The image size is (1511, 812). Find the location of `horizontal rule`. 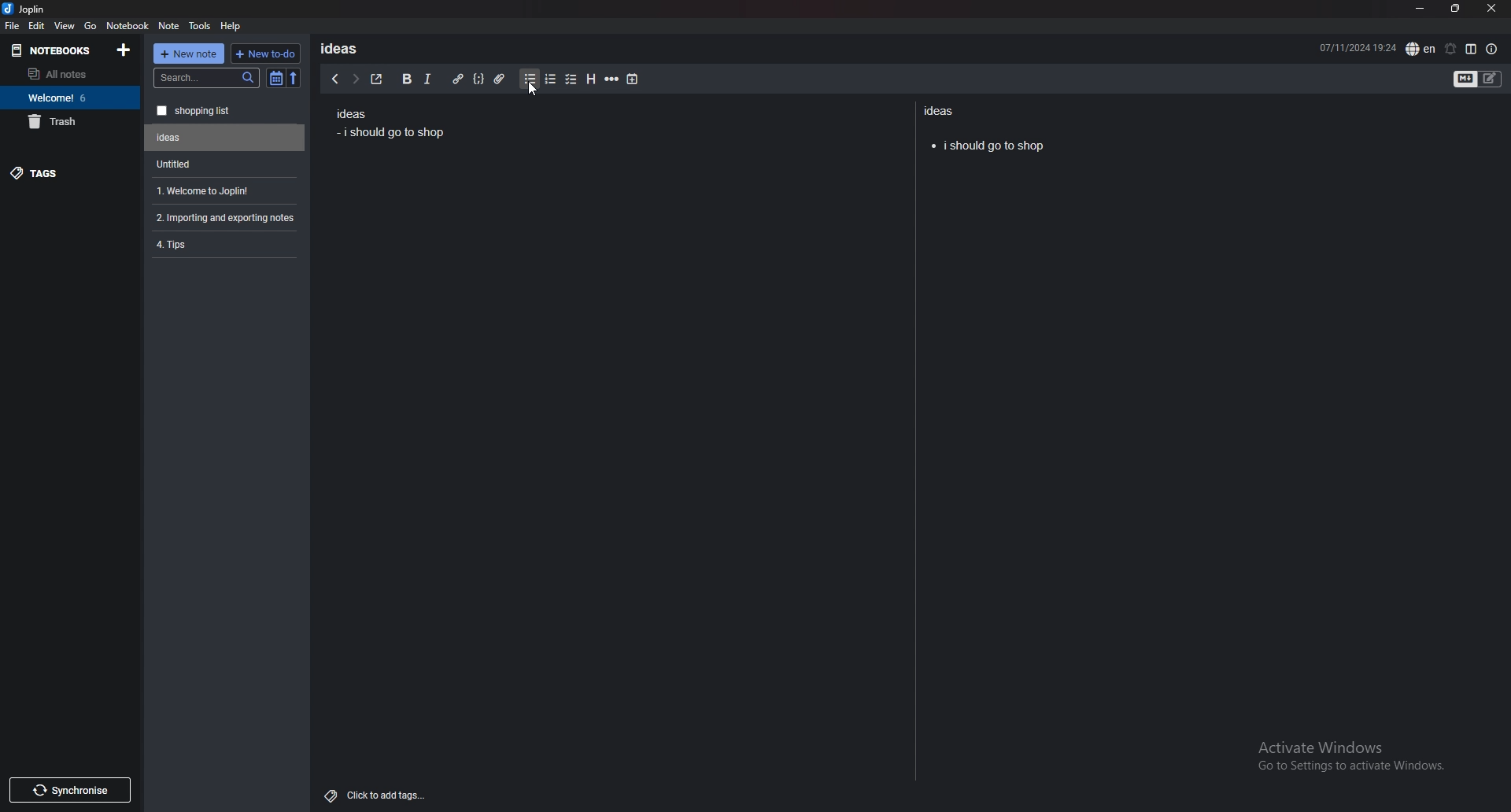

horizontal rule is located at coordinates (611, 79).